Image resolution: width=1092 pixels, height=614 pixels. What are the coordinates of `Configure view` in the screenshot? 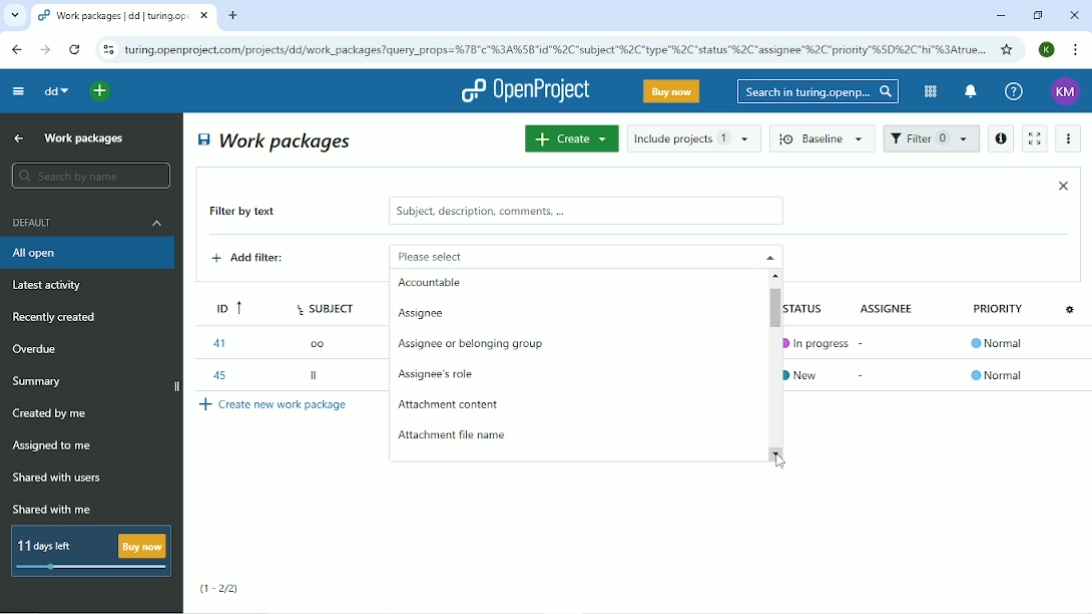 It's located at (1072, 308).